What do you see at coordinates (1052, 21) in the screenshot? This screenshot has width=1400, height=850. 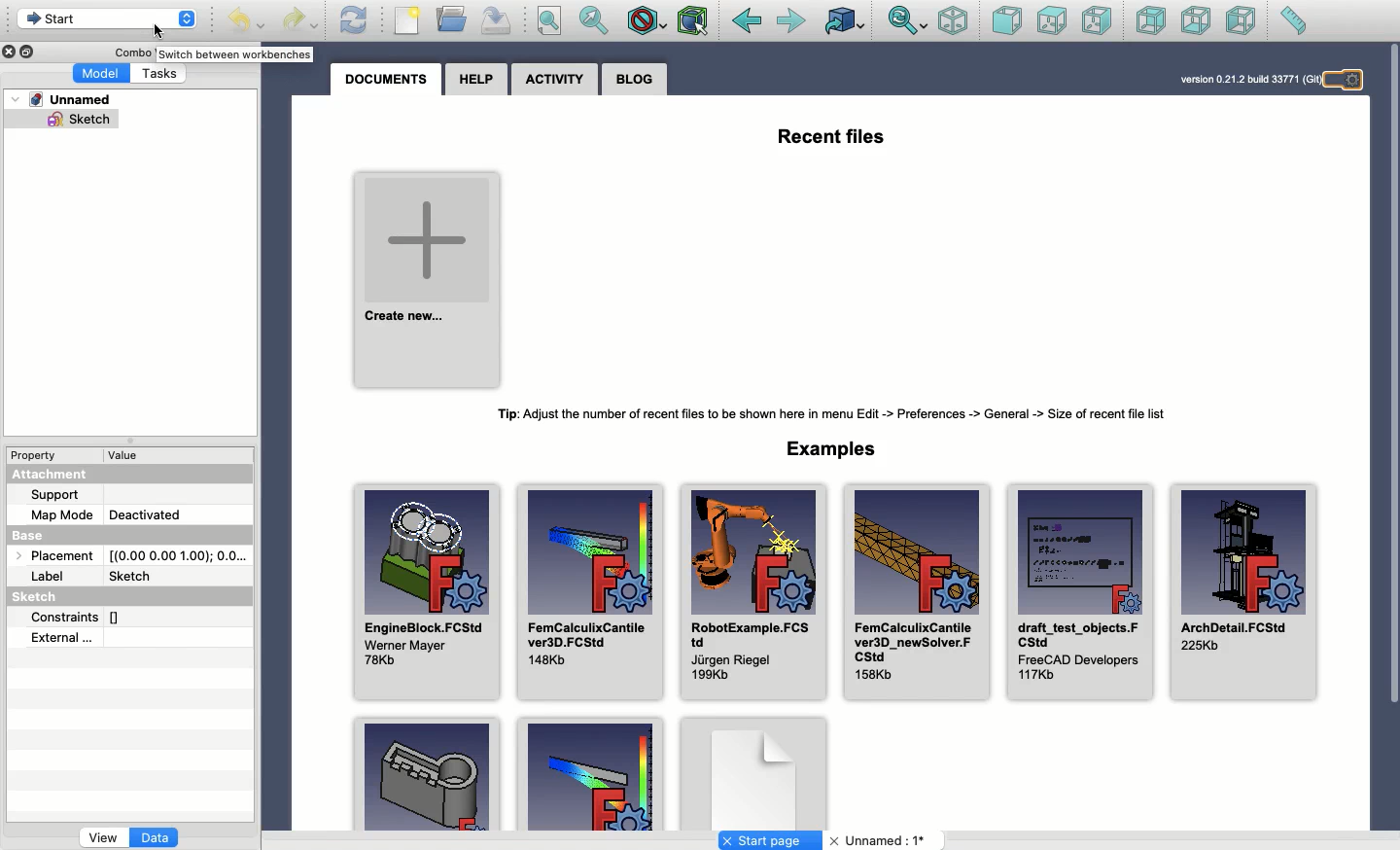 I see `Top` at bounding box center [1052, 21].